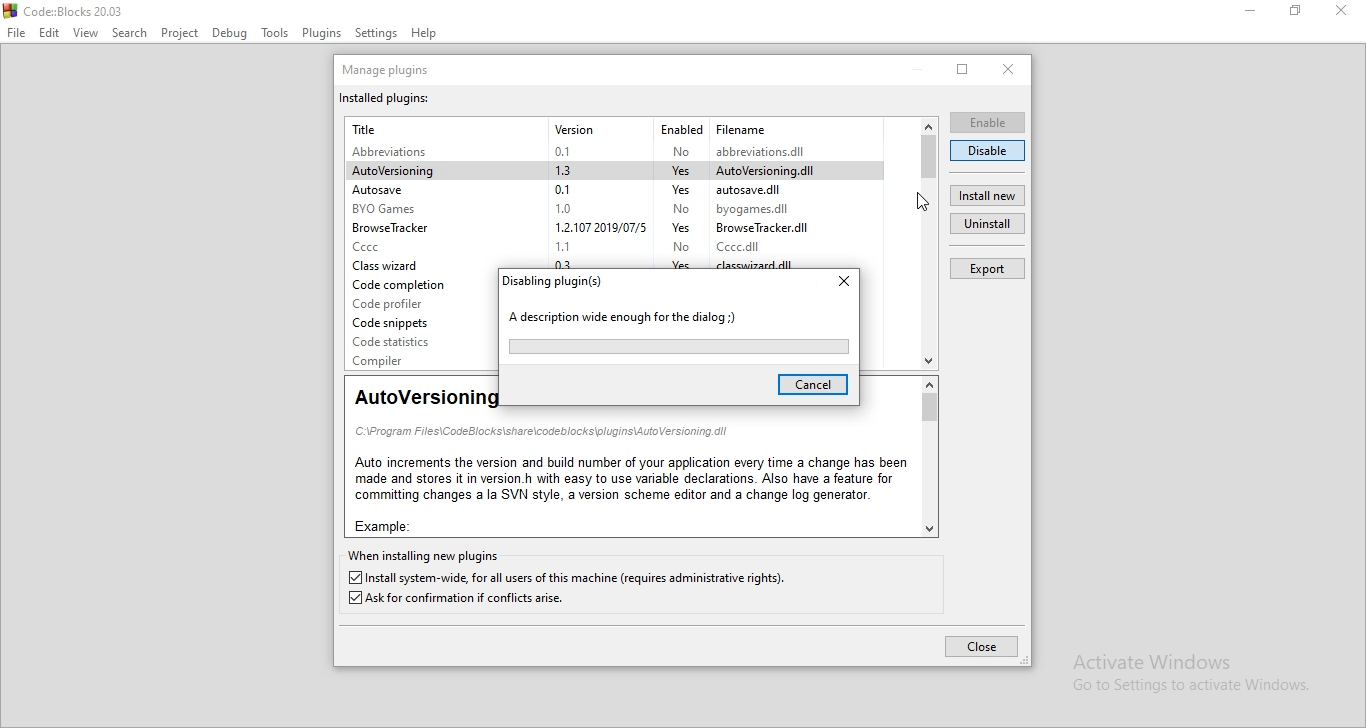  What do you see at coordinates (963, 69) in the screenshot?
I see `restore` at bounding box center [963, 69].